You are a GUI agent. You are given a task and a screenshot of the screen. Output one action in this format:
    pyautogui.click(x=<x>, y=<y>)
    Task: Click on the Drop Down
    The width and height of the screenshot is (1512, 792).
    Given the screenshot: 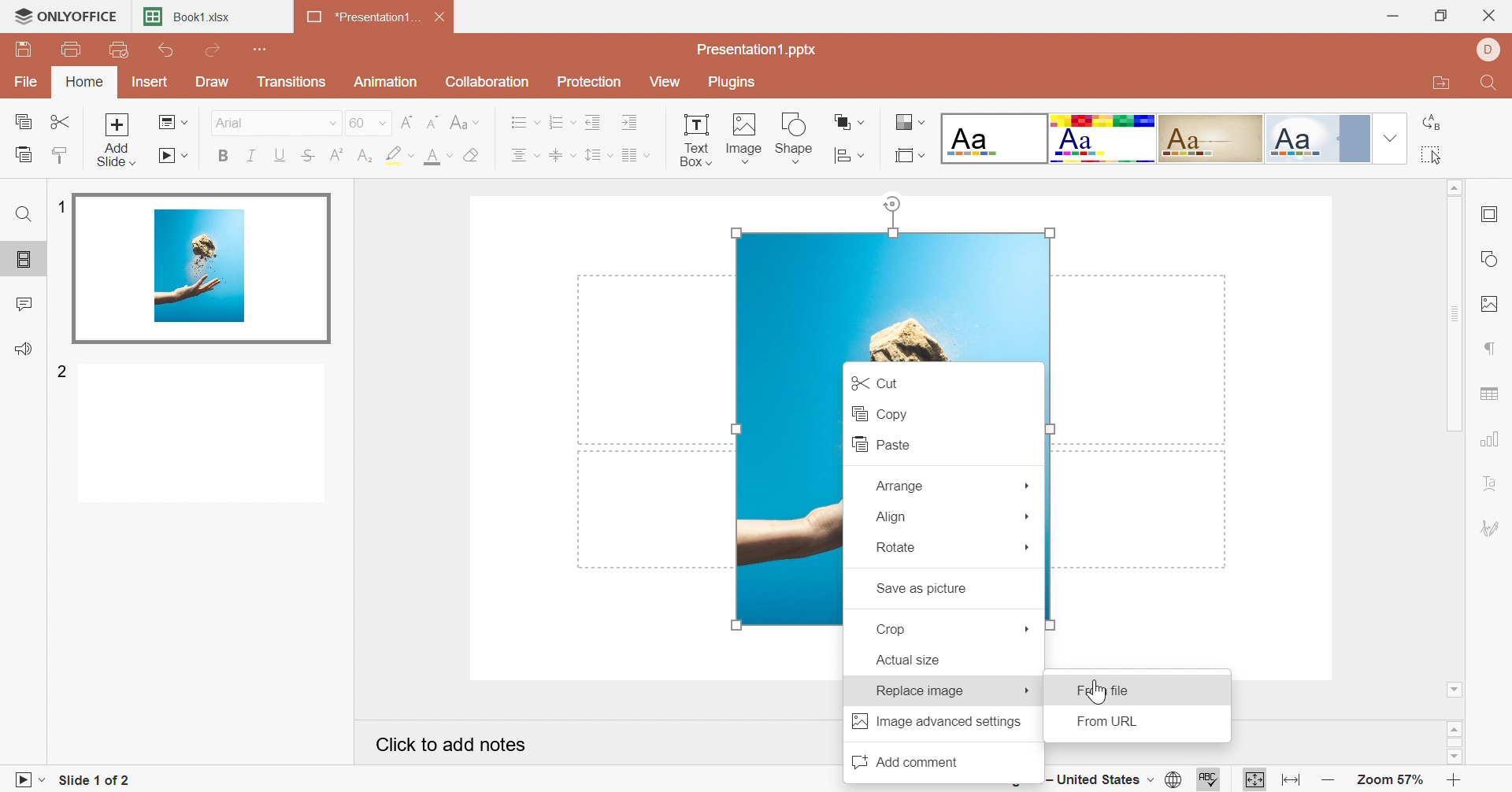 What is the action you would take?
    pyautogui.click(x=329, y=123)
    